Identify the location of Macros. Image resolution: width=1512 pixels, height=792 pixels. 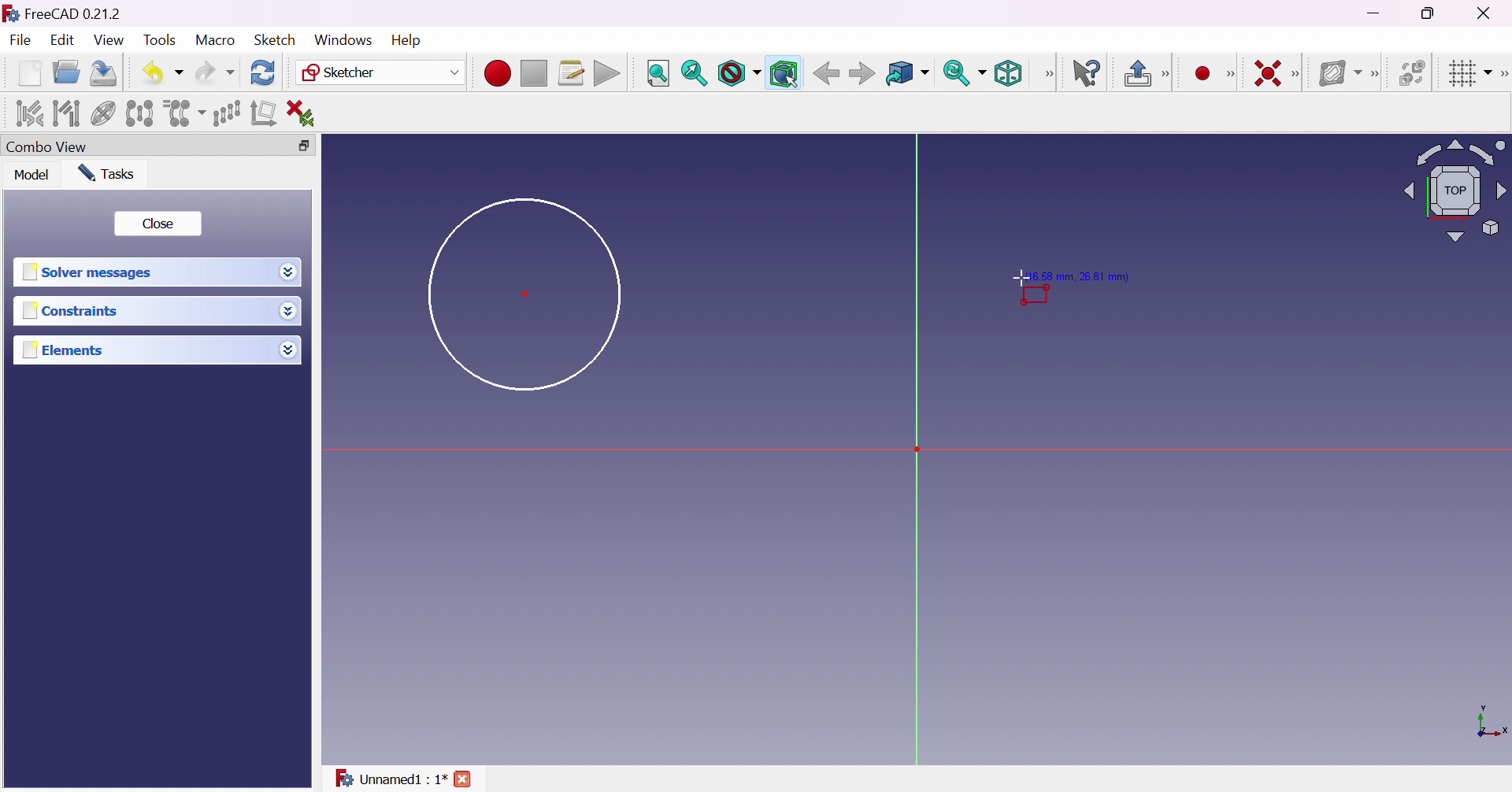
(572, 73).